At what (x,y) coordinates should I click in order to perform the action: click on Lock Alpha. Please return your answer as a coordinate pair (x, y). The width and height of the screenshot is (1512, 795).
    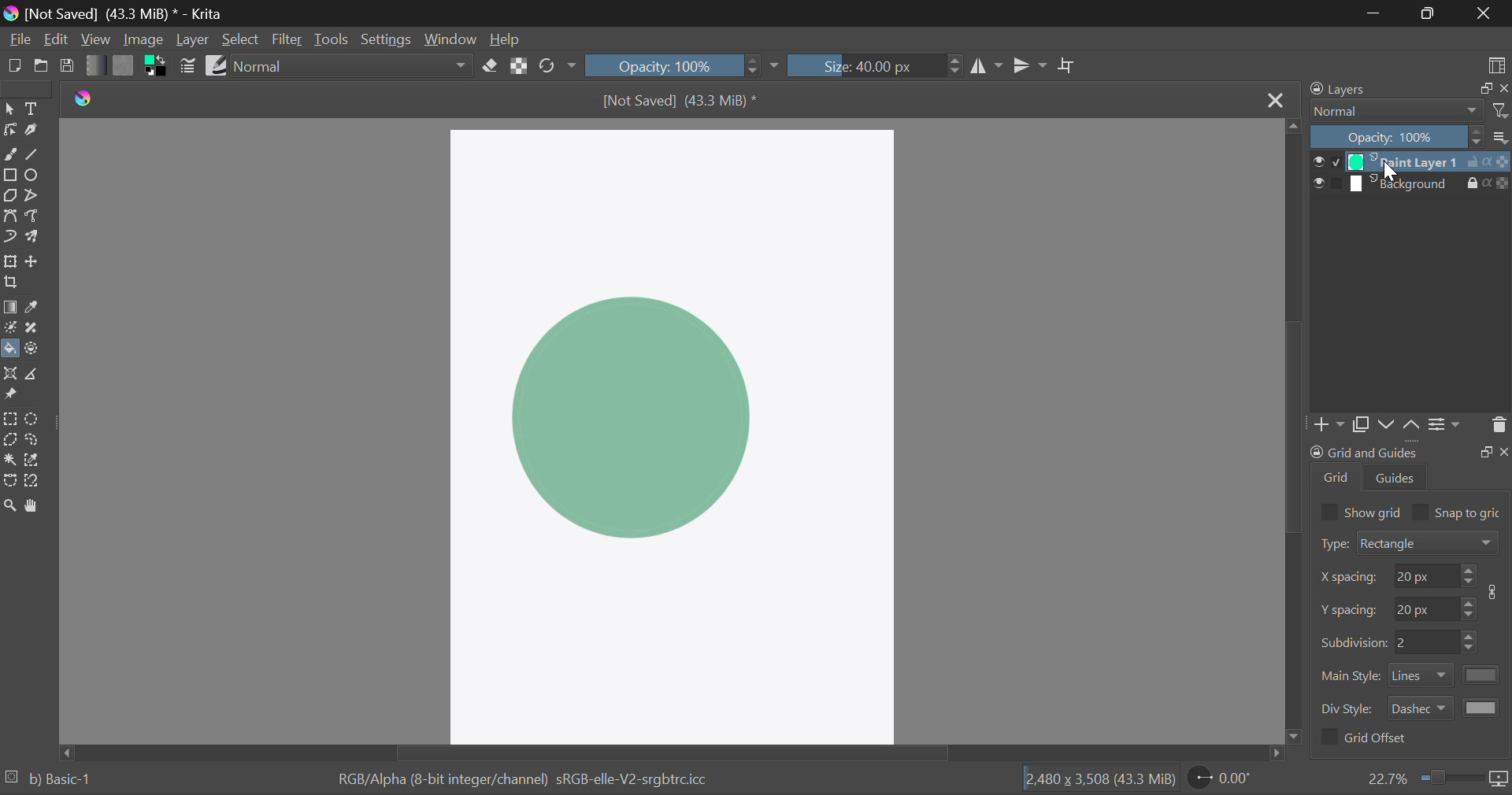
    Looking at the image, I should click on (520, 68).